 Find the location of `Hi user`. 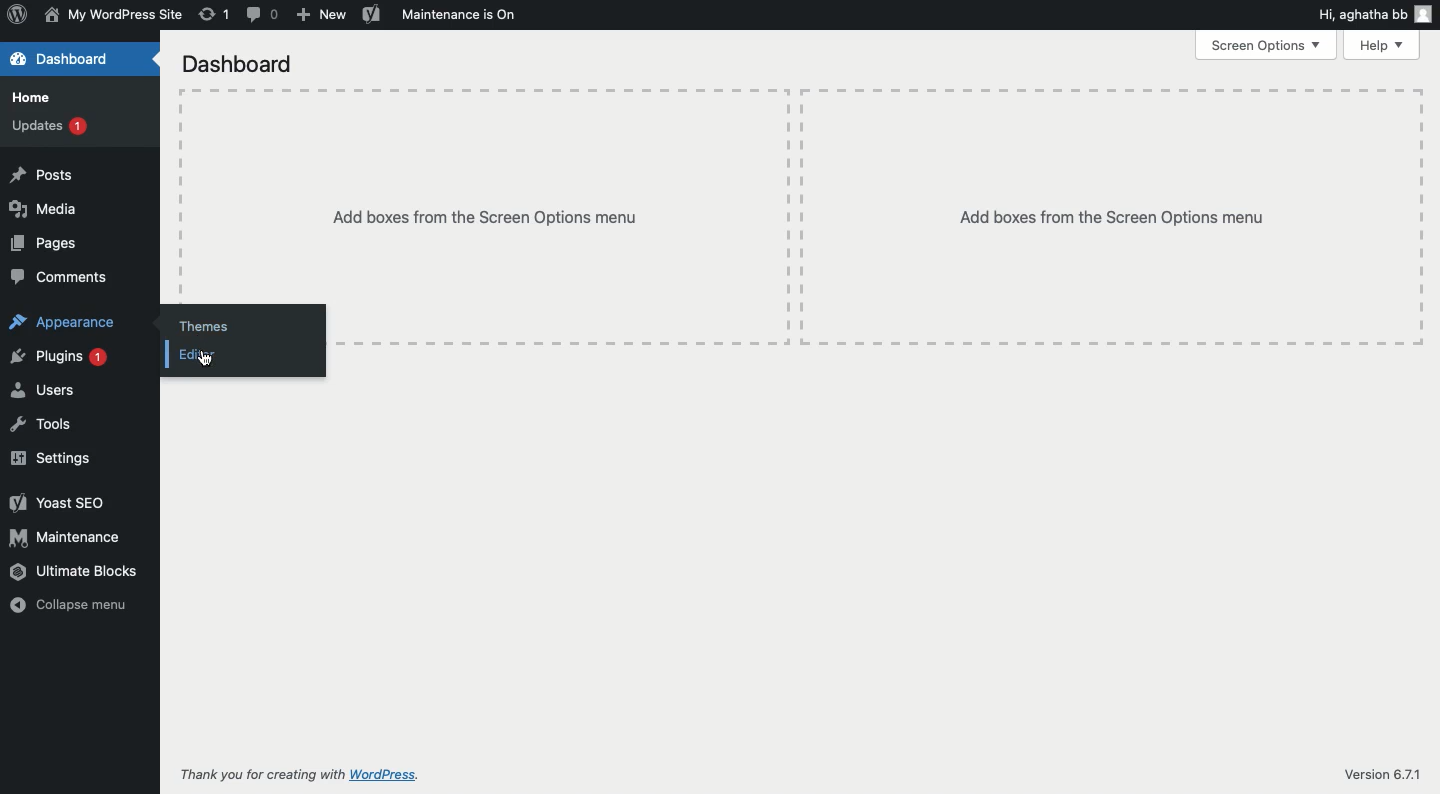

Hi user is located at coordinates (1376, 17).